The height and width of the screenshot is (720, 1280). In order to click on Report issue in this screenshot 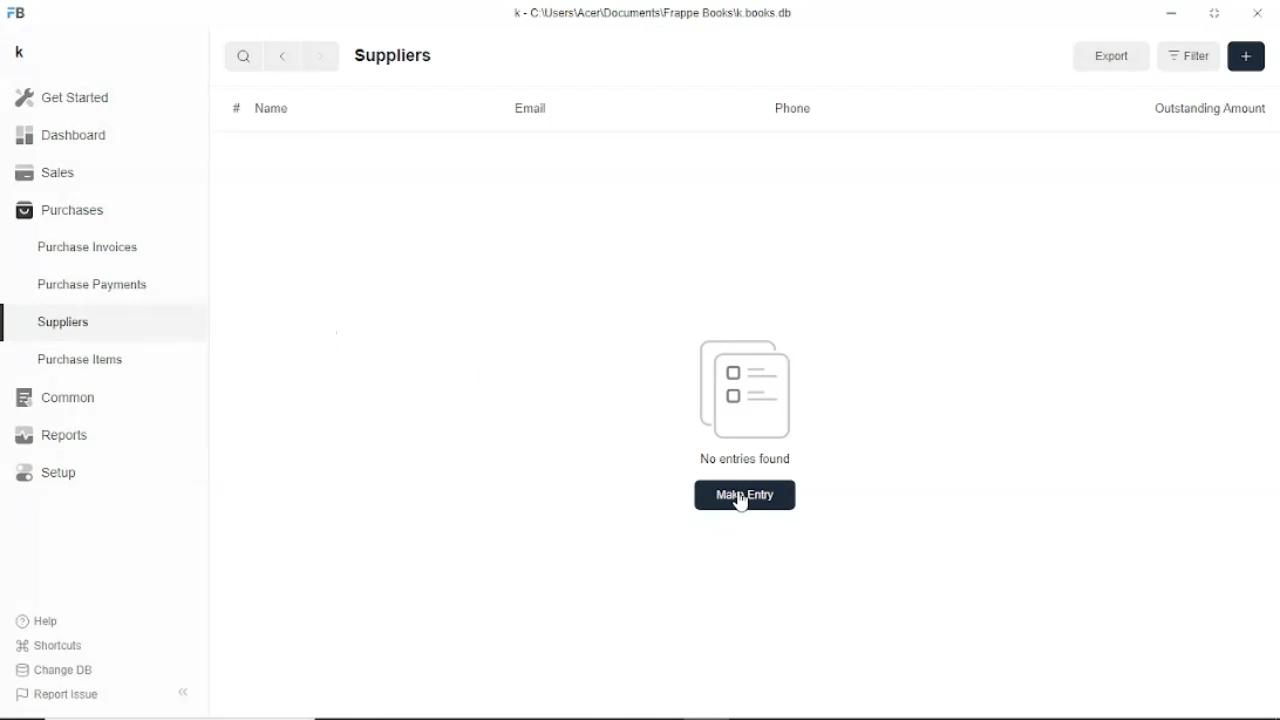, I will do `click(56, 696)`.